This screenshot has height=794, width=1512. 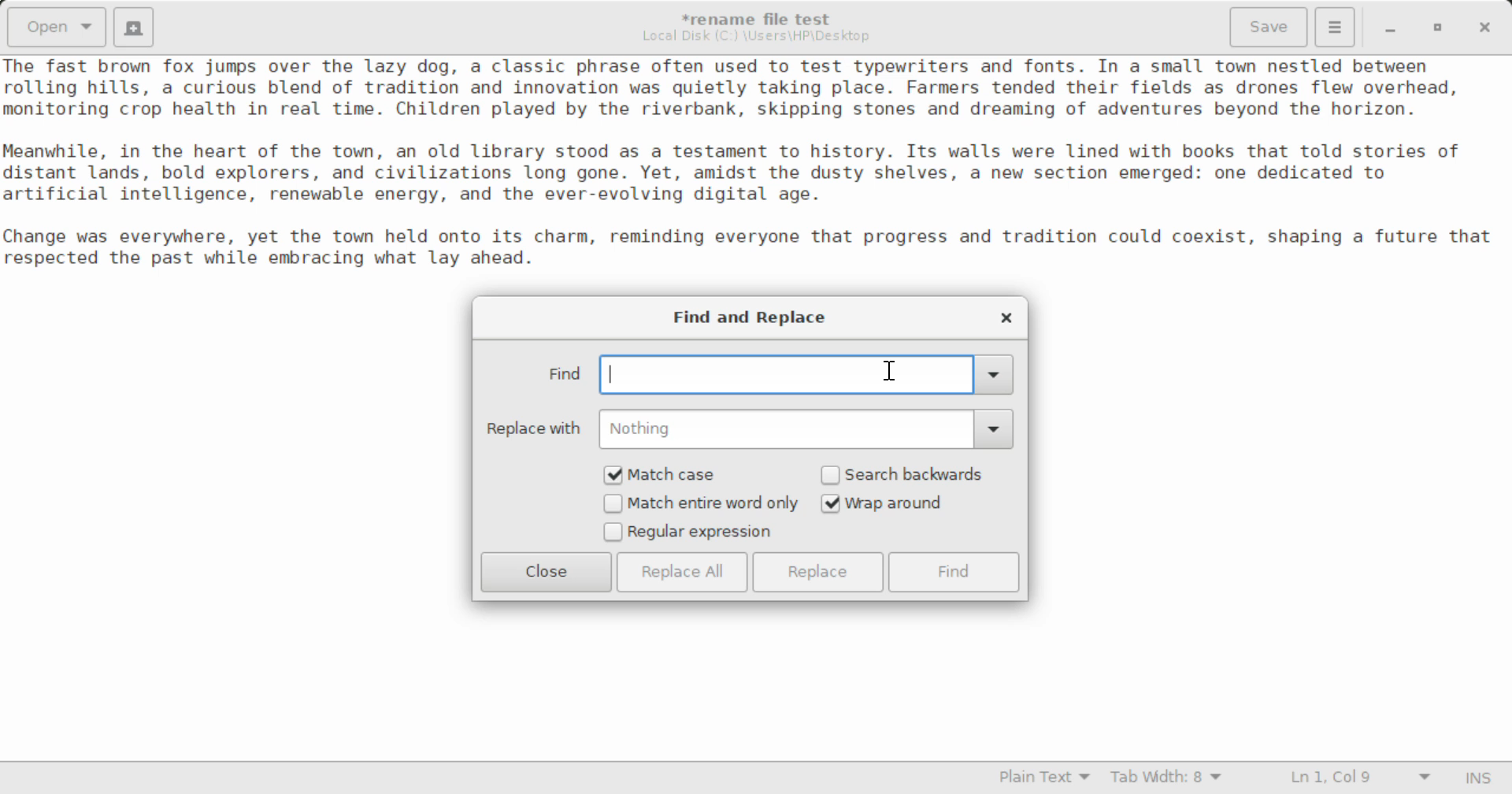 What do you see at coordinates (671, 474) in the screenshot?
I see `Match Case` at bounding box center [671, 474].